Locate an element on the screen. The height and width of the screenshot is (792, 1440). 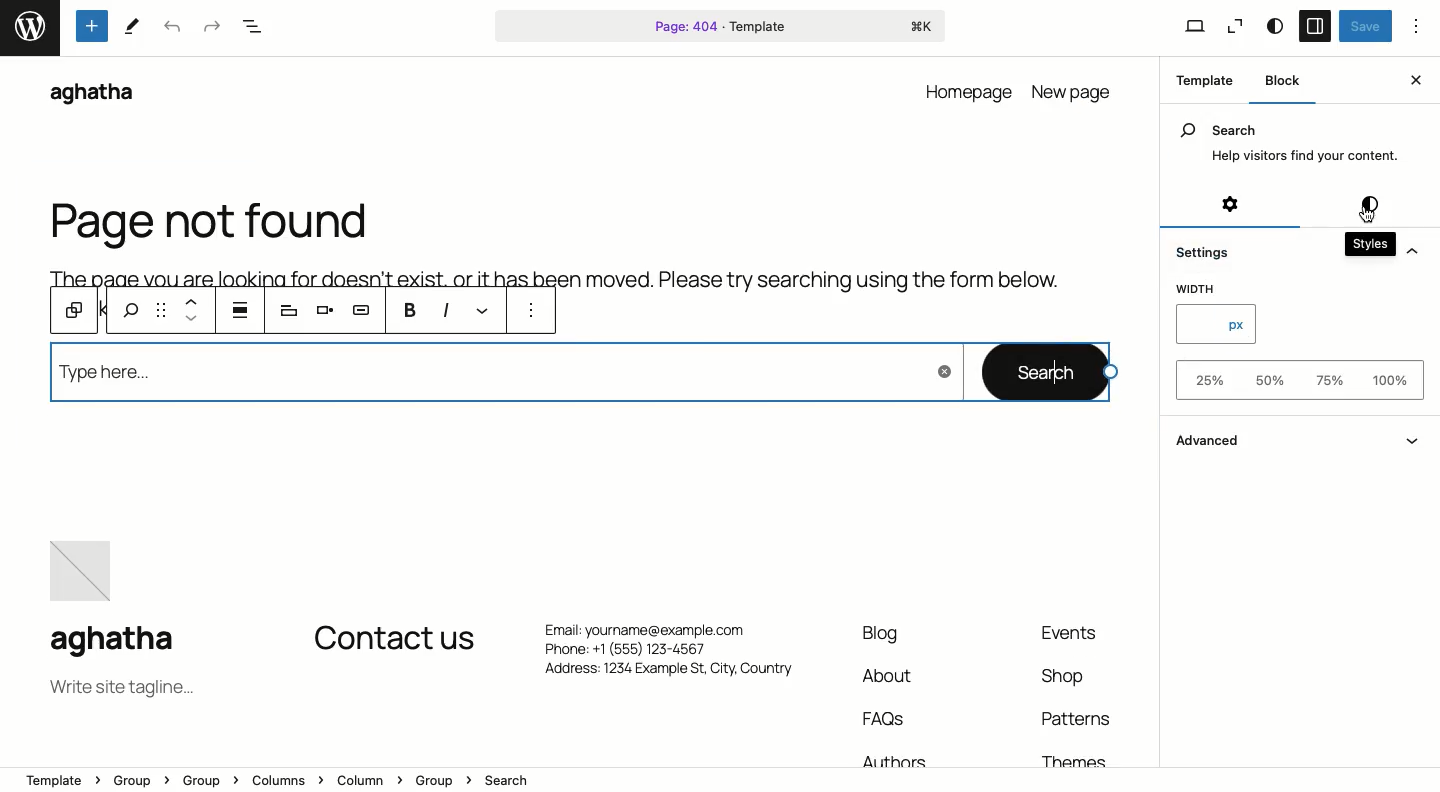
tools is located at coordinates (137, 25).